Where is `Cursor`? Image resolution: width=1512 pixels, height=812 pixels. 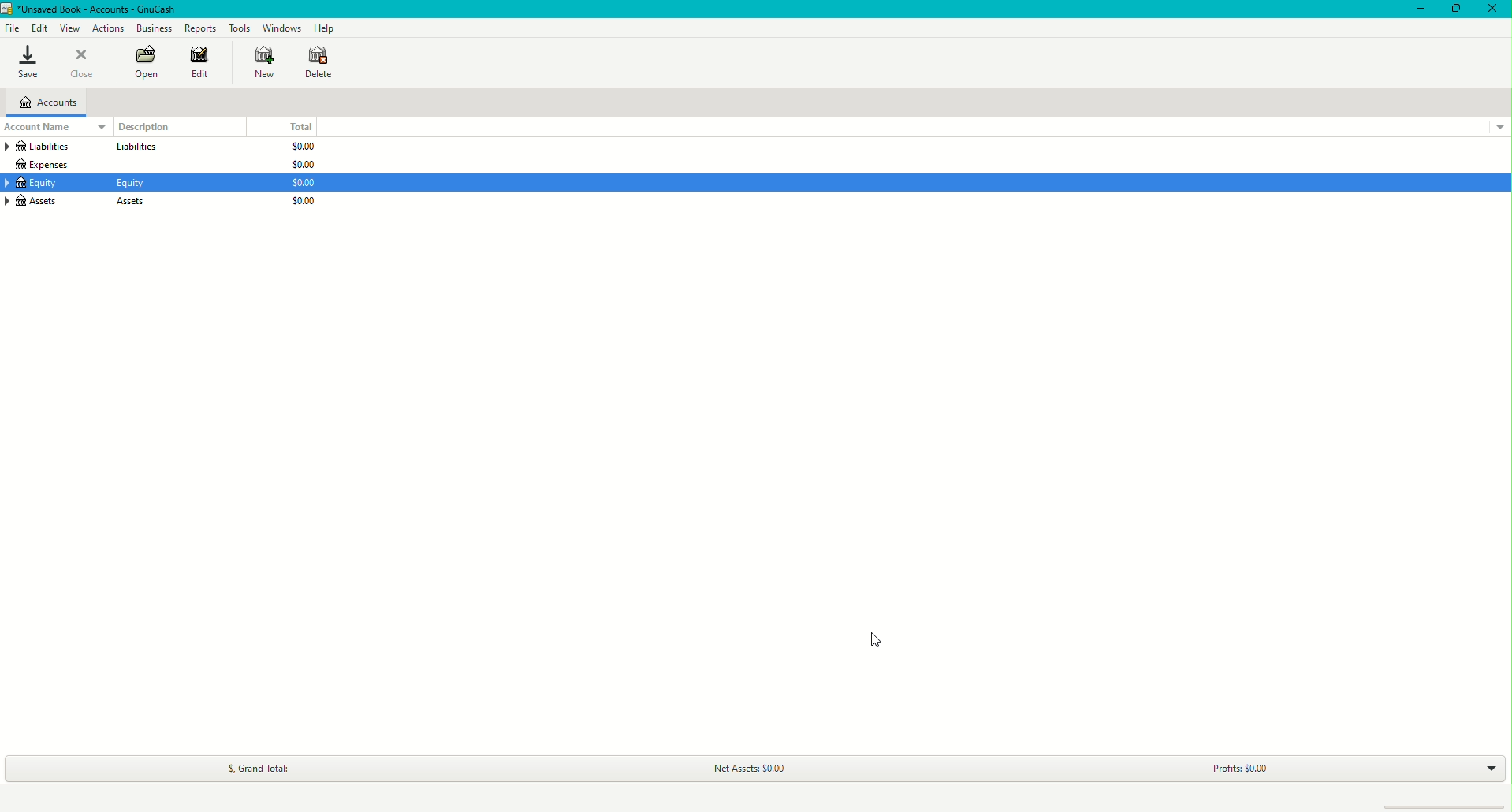 Cursor is located at coordinates (868, 636).